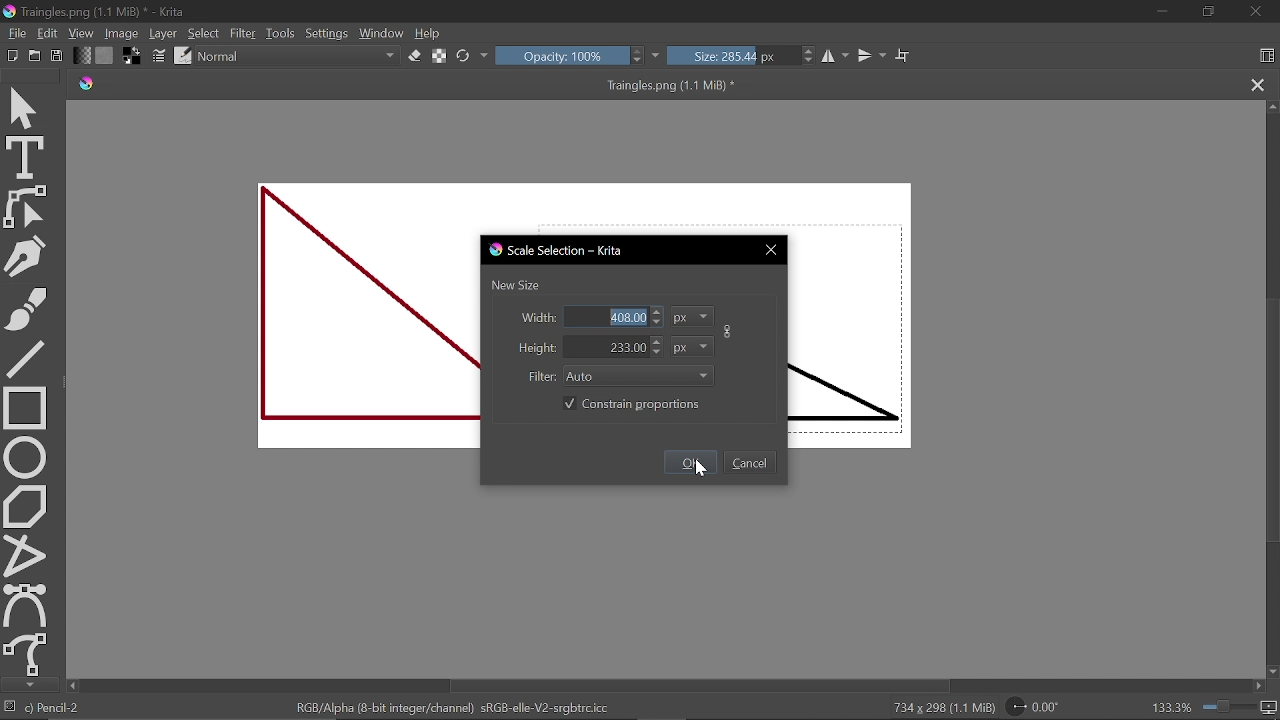  What do you see at coordinates (699, 476) in the screenshot?
I see `Cursor` at bounding box center [699, 476].